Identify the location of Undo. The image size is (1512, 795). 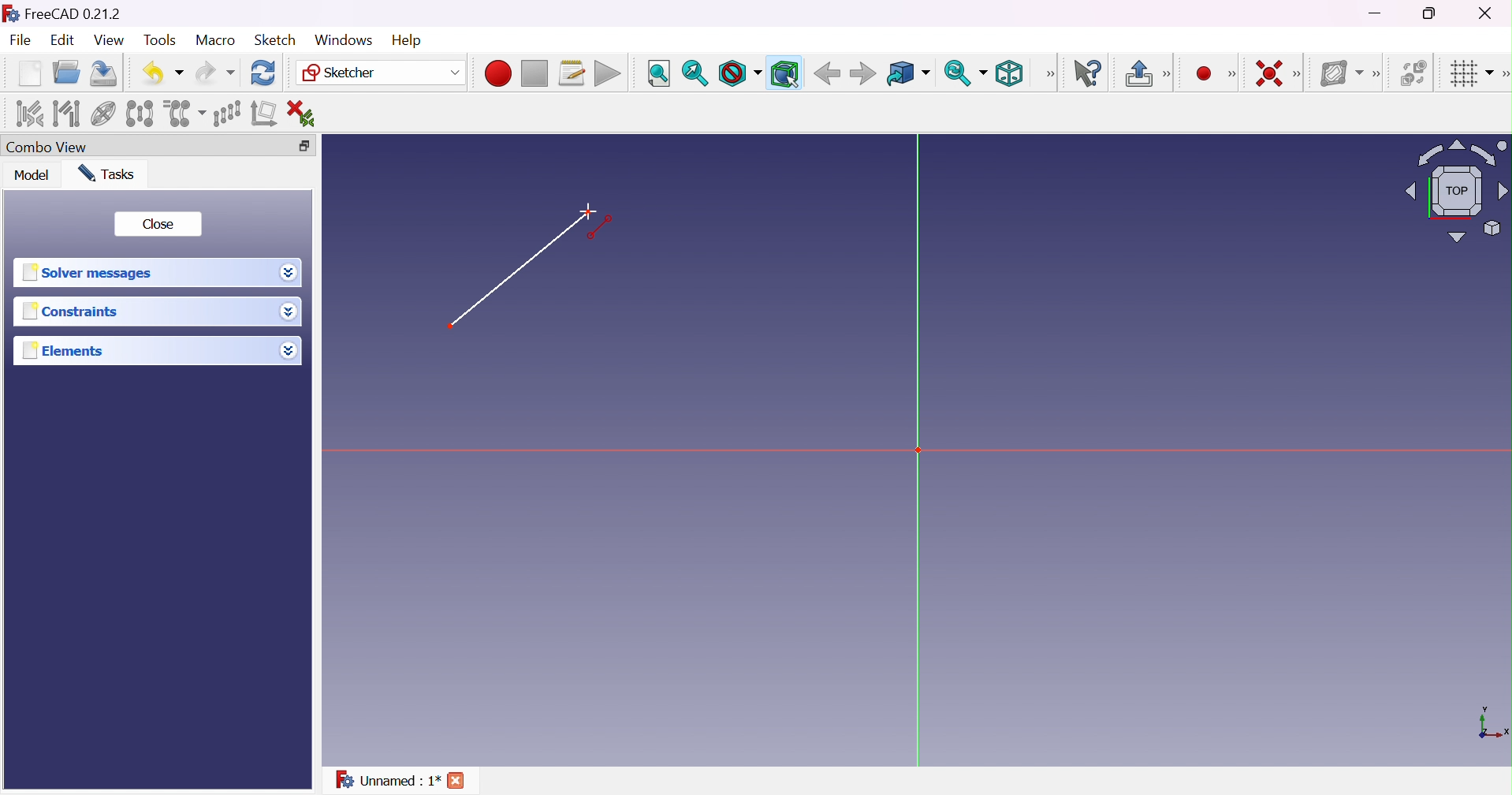
(162, 72).